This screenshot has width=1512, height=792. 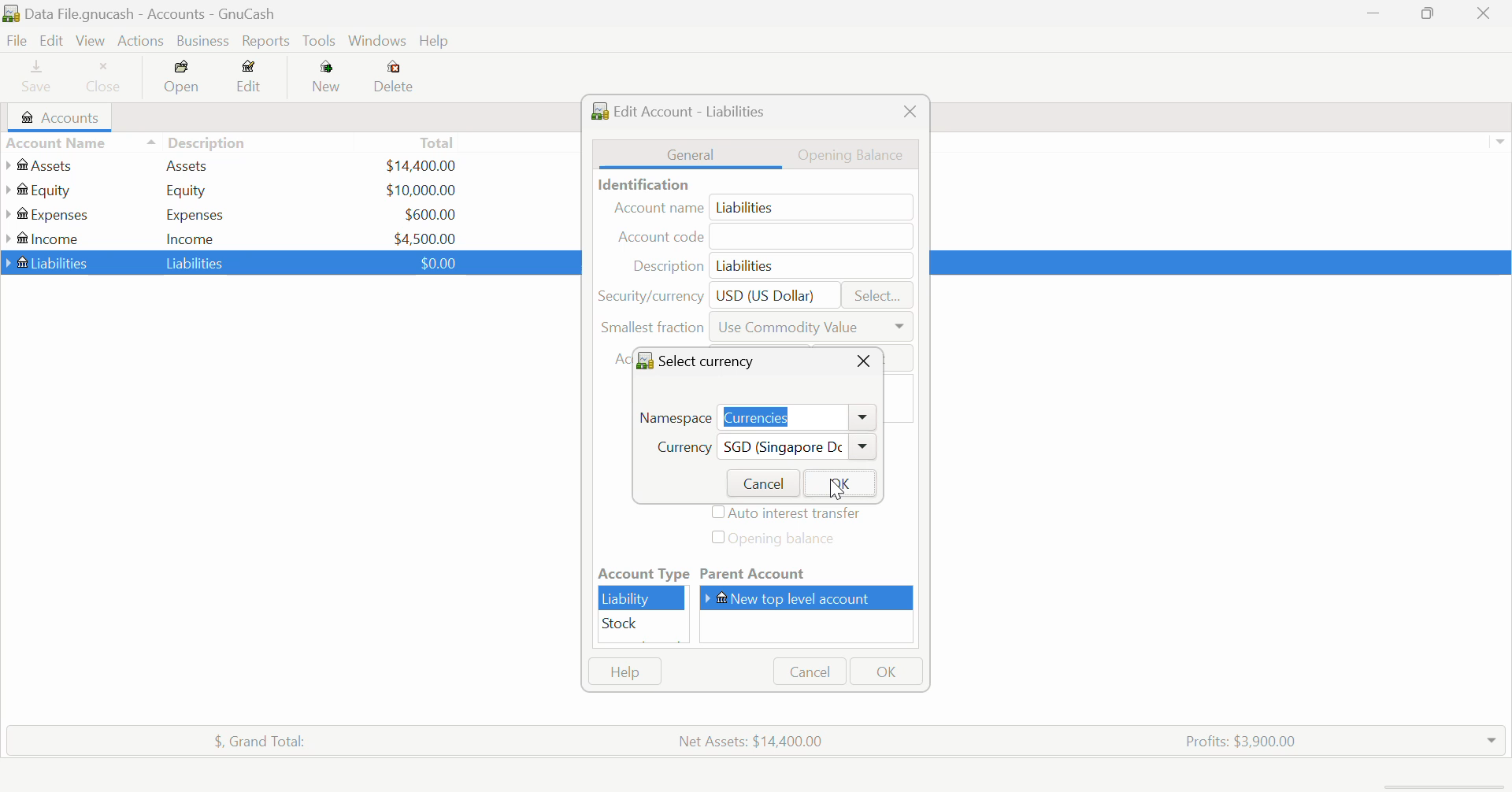 I want to click on Income Account, so click(x=47, y=239).